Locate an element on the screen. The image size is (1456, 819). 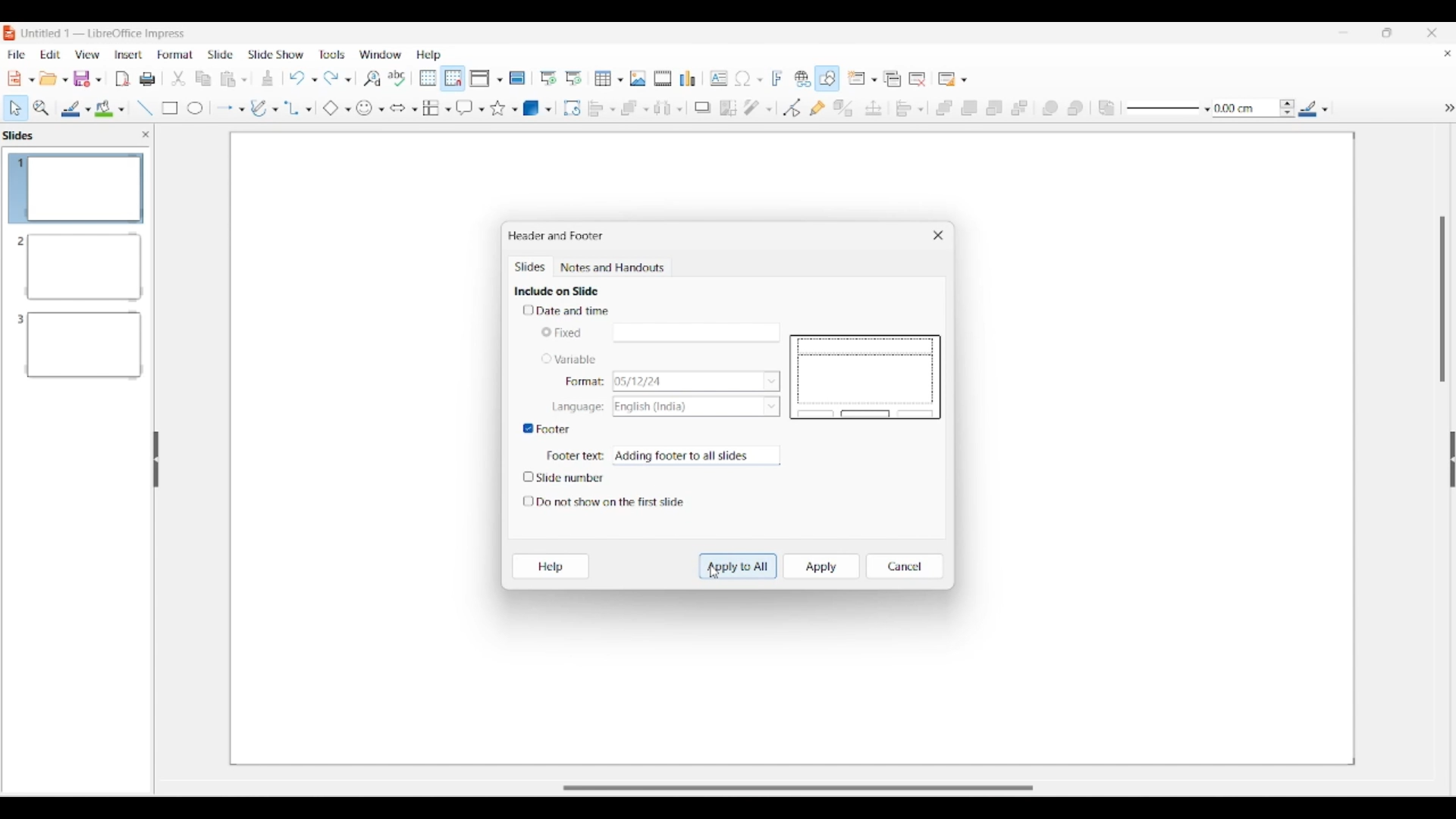
Window menu is located at coordinates (380, 55).